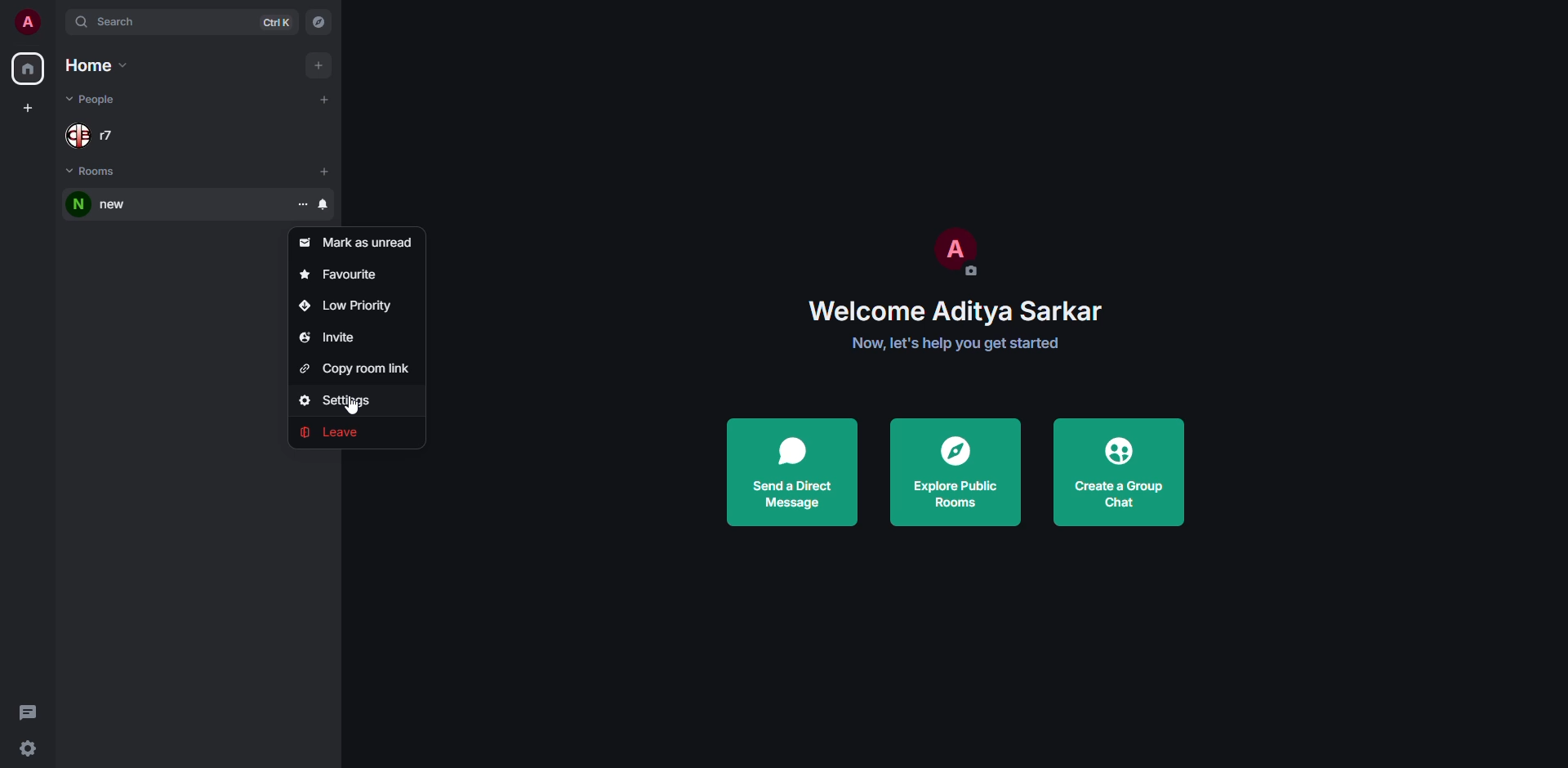 Image resolution: width=1568 pixels, height=768 pixels. What do you see at coordinates (328, 171) in the screenshot?
I see `add` at bounding box center [328, 171].